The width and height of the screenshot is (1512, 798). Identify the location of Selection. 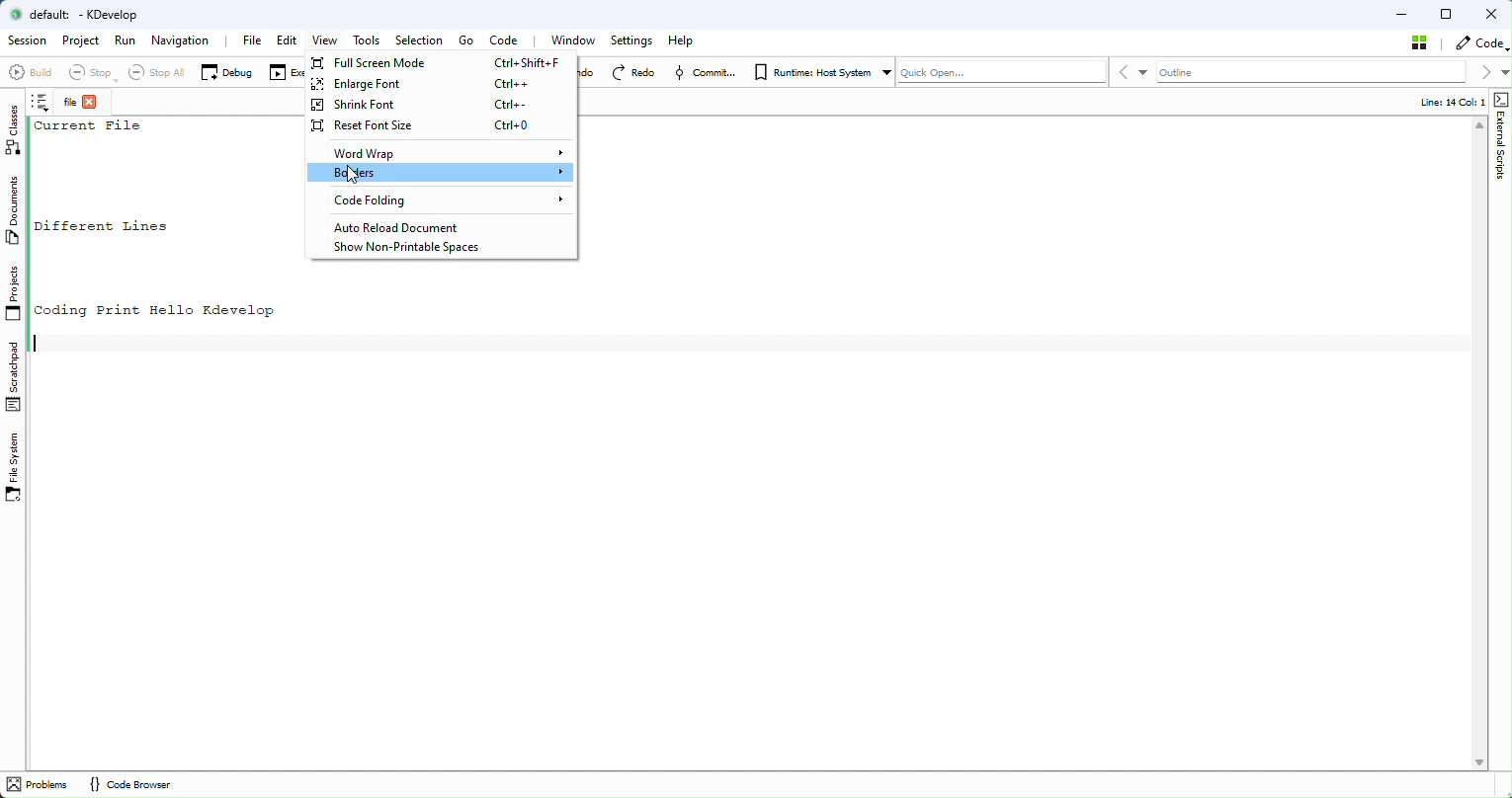
(423, 40).